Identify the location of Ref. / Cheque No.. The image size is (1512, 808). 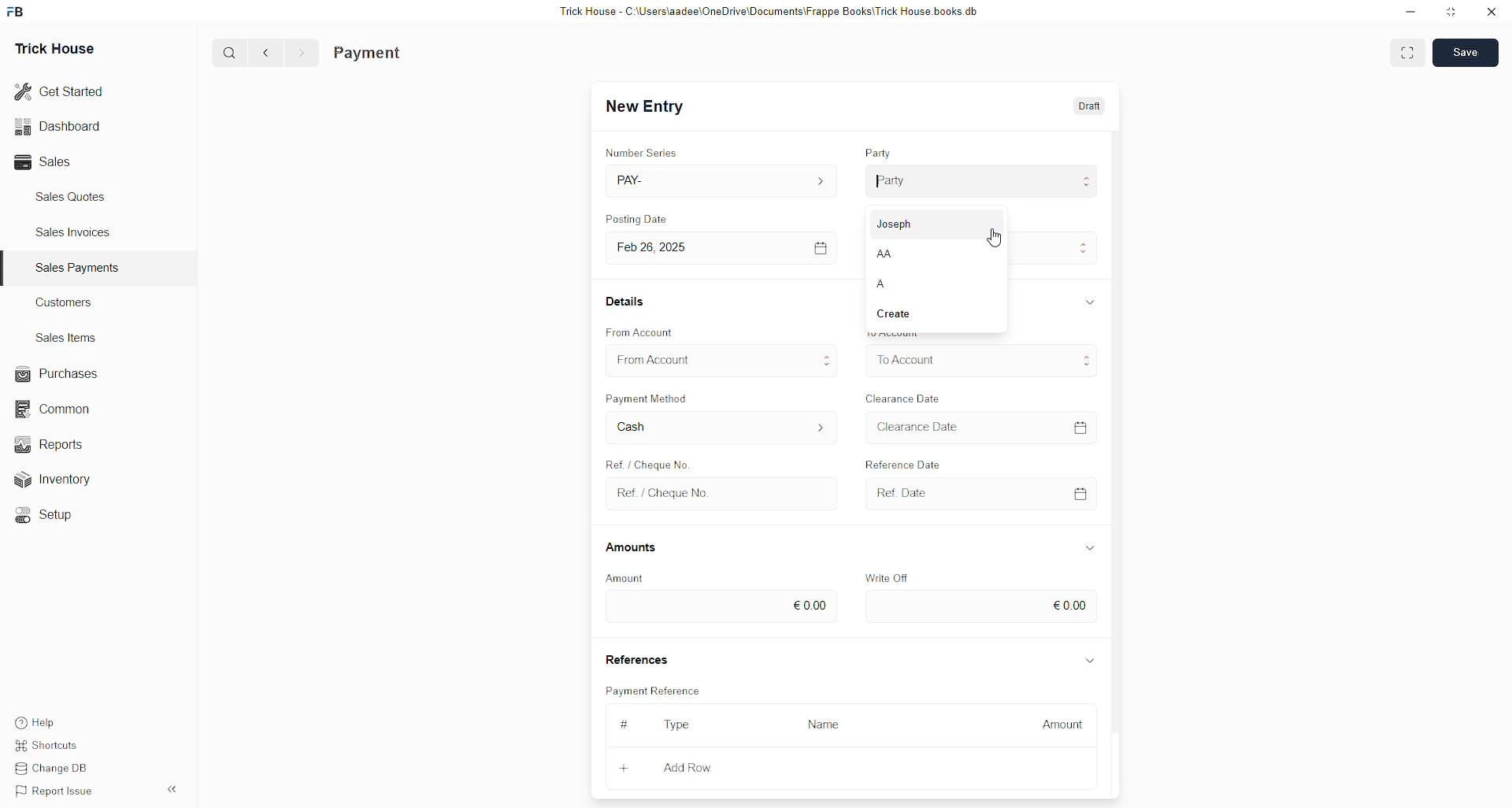
(724, 495).